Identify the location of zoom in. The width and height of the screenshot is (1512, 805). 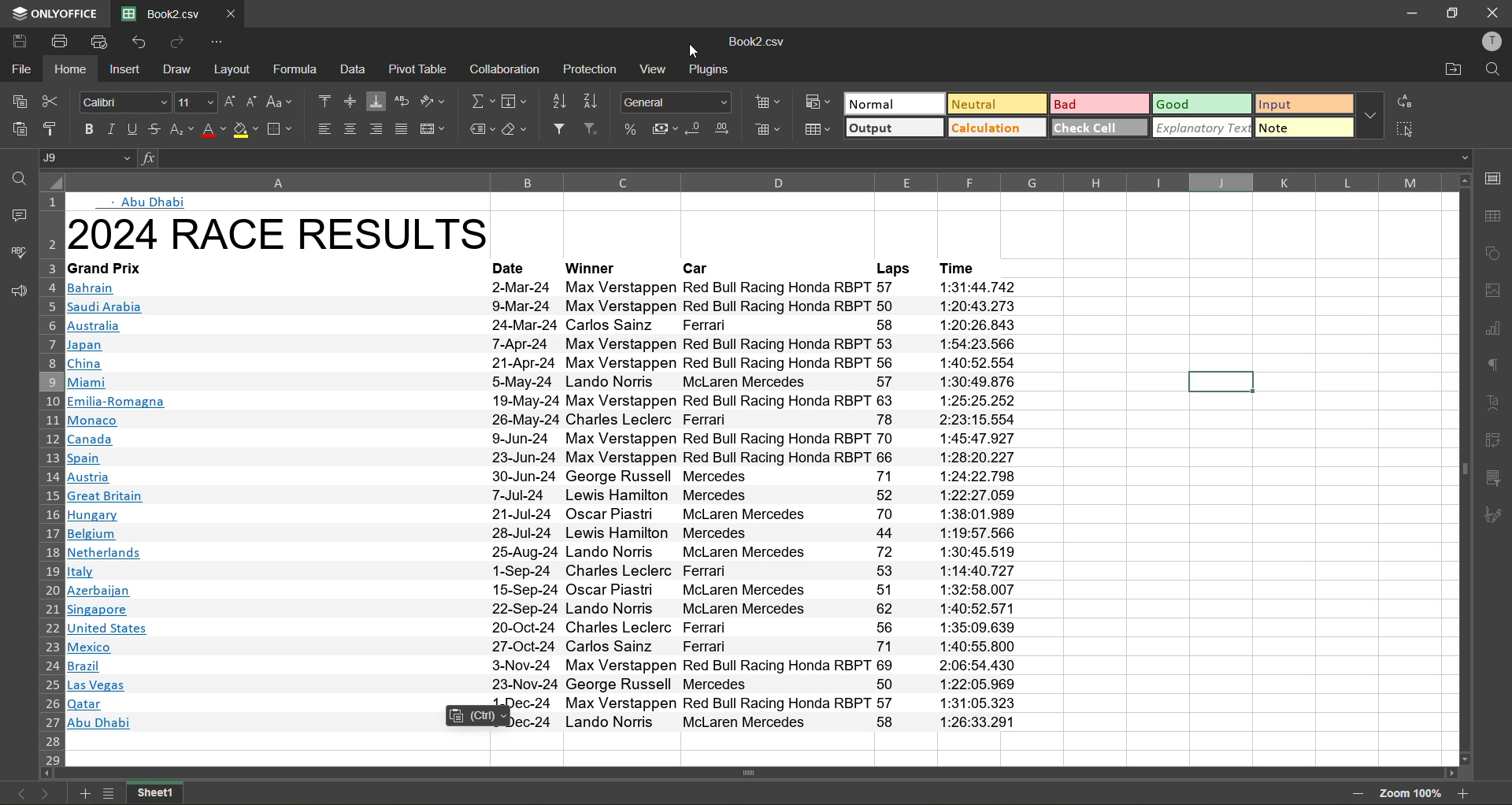
(1466, 794).